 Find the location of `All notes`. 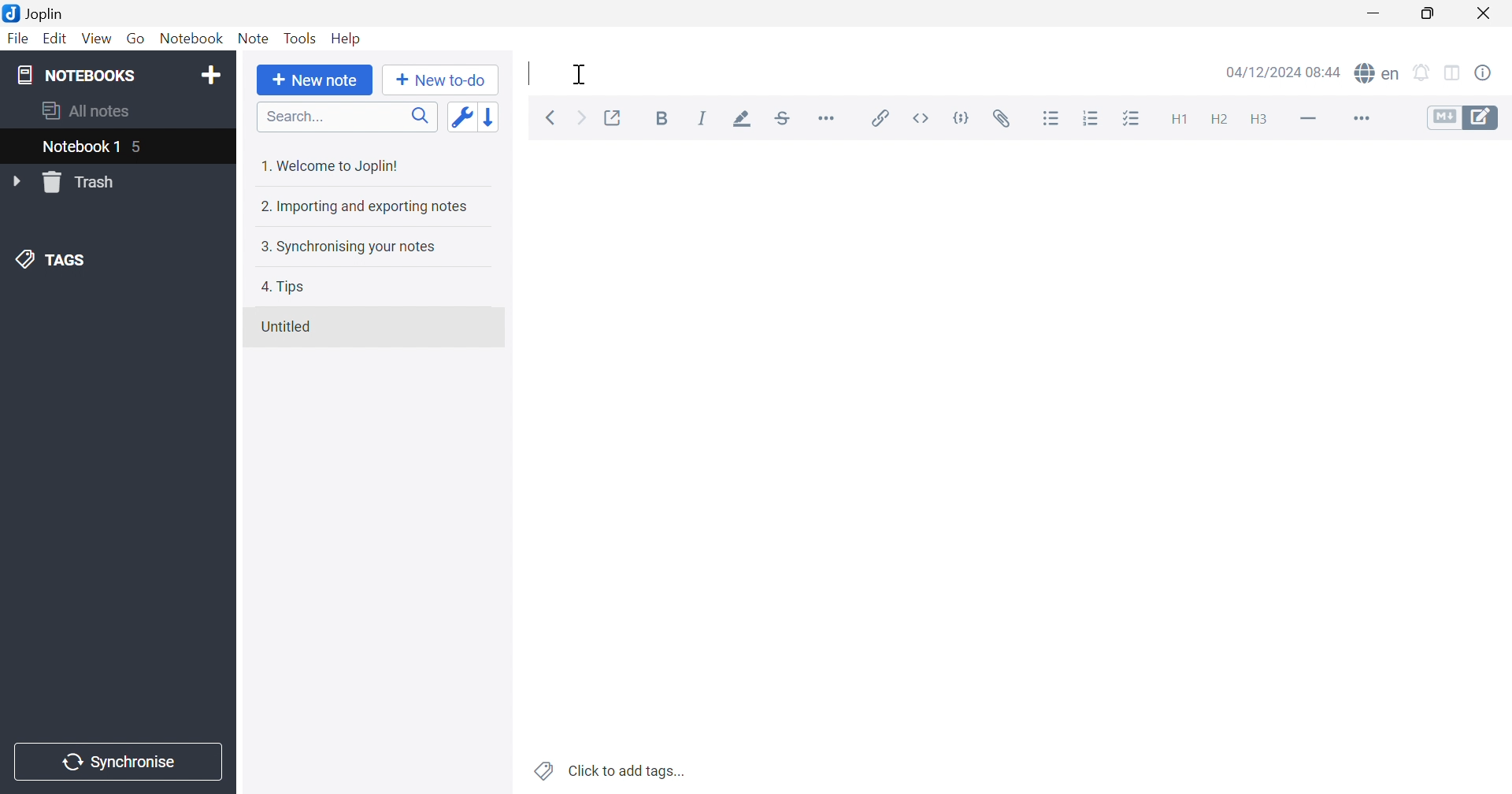

All notes is located at coordinates (87, 110).